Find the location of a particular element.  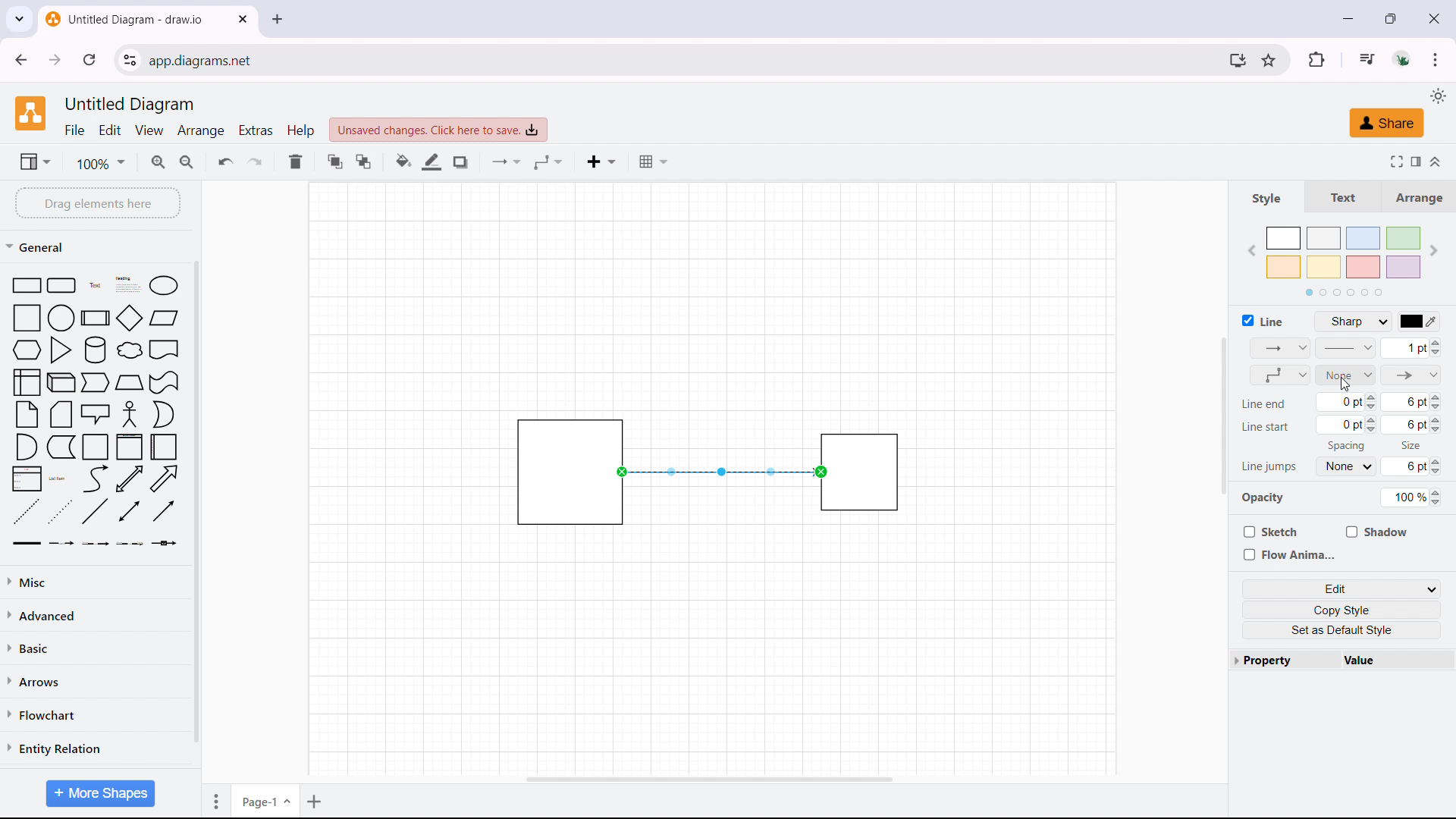

redo is located at coordinates (255, 161).